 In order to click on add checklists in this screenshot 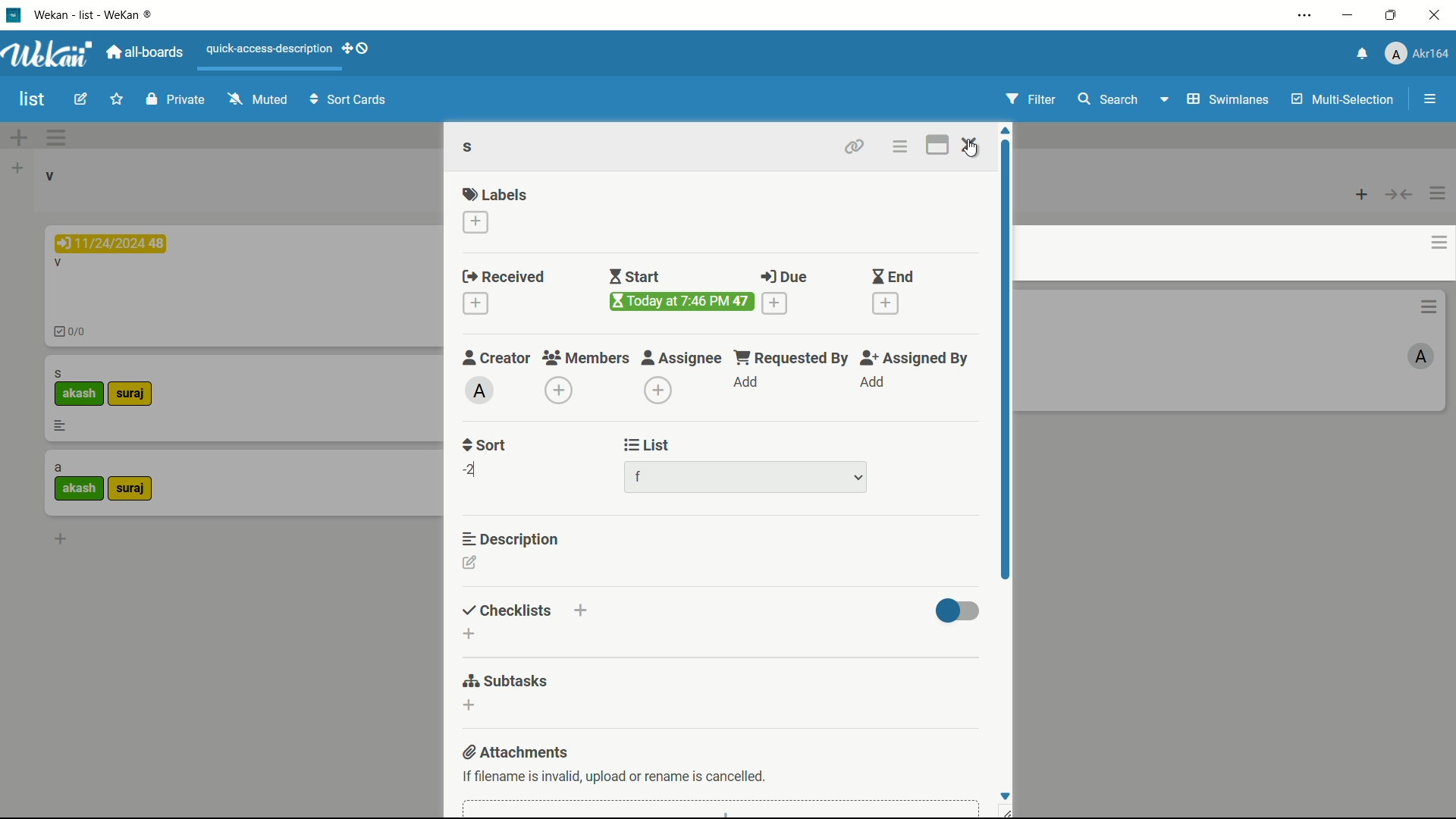, I will do `click(468, 634)`.